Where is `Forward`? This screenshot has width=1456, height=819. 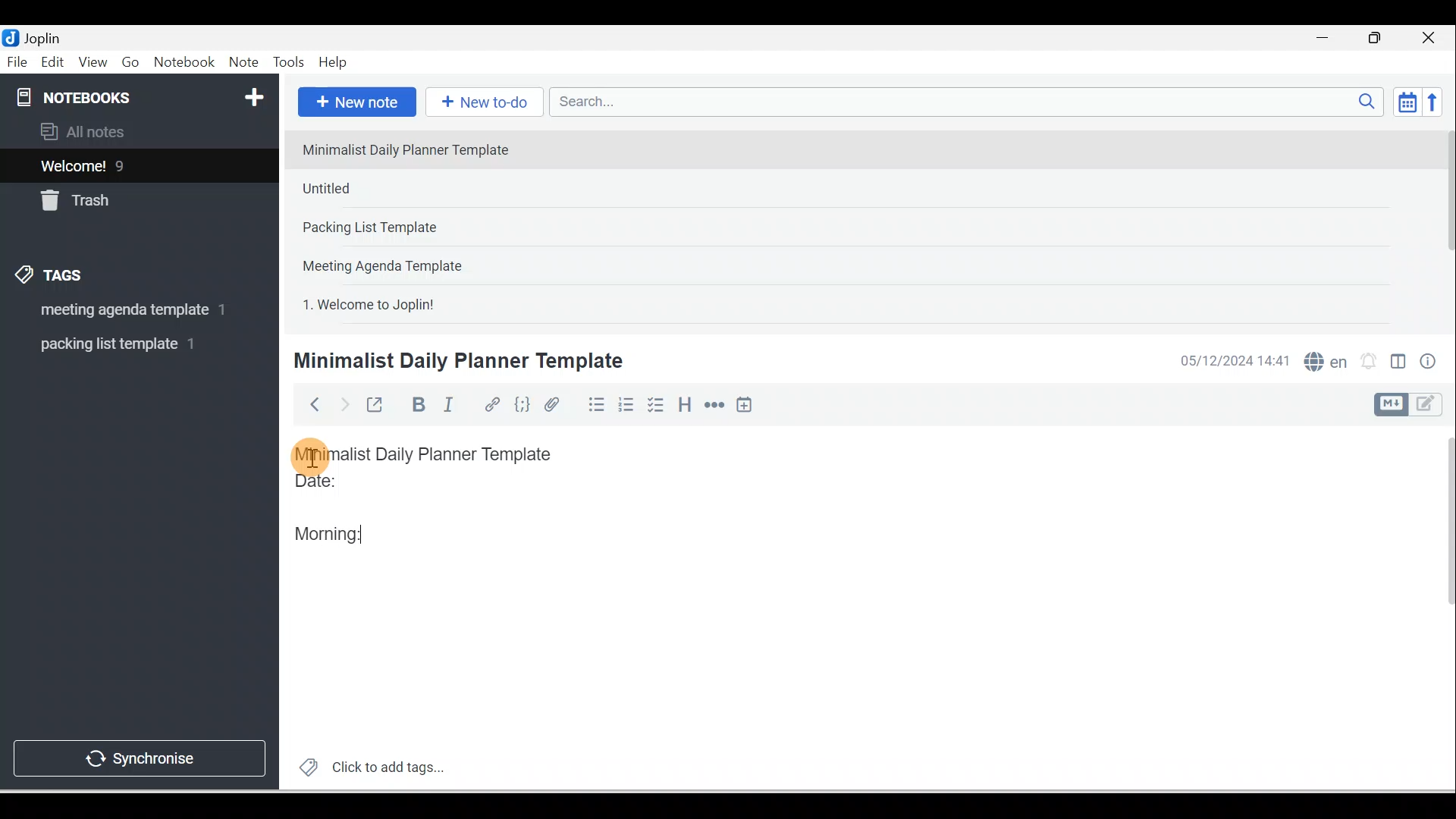 Forward is located at coordinates (343, 403).